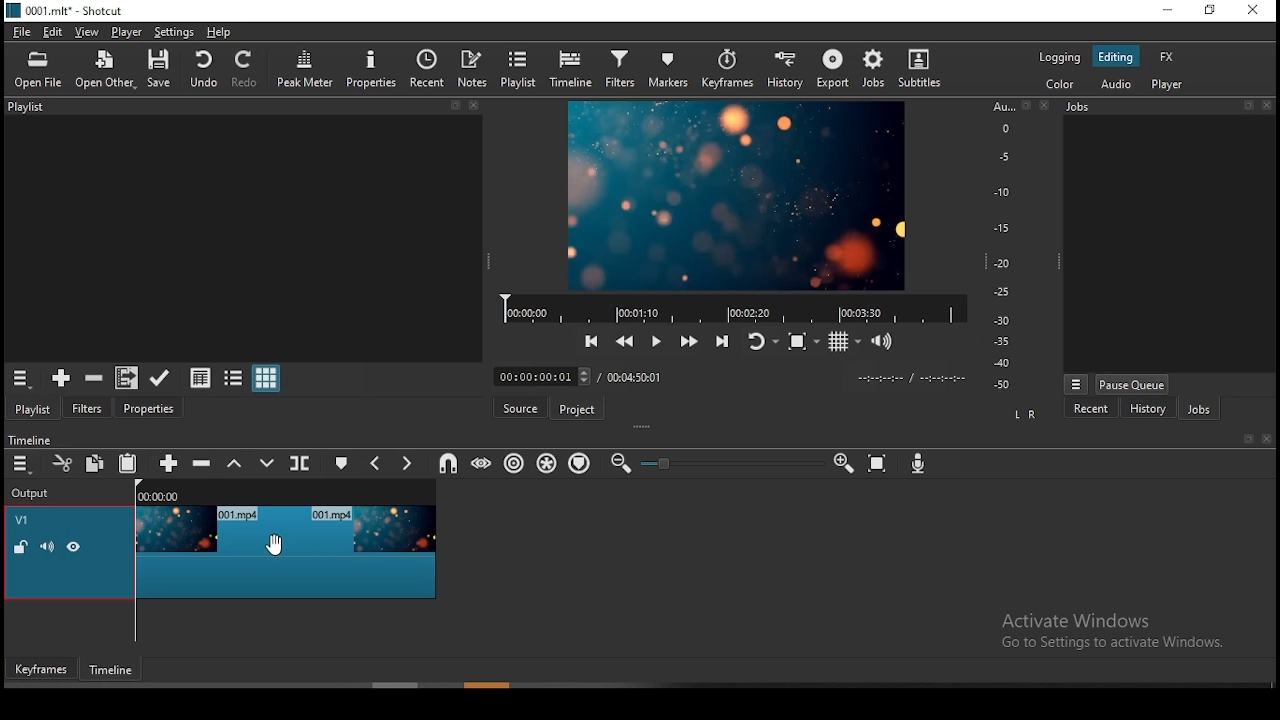 The image size is (1280, 720). Describe the element at coordinates (63, 463) in the screenshot. I see `cut` at that location.